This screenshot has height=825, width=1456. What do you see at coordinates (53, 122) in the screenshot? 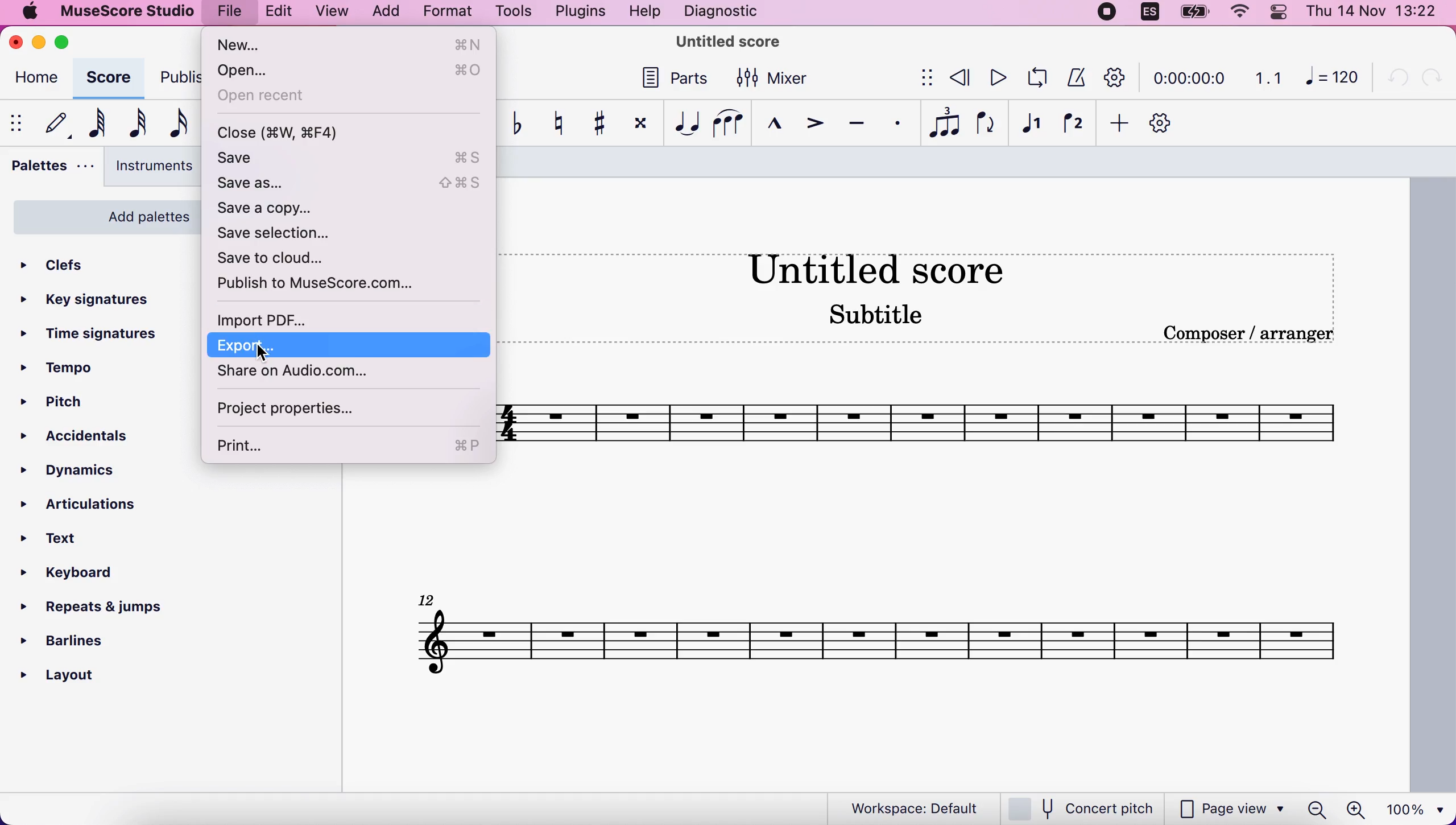
I see `default` at bounding box center [53, 122].